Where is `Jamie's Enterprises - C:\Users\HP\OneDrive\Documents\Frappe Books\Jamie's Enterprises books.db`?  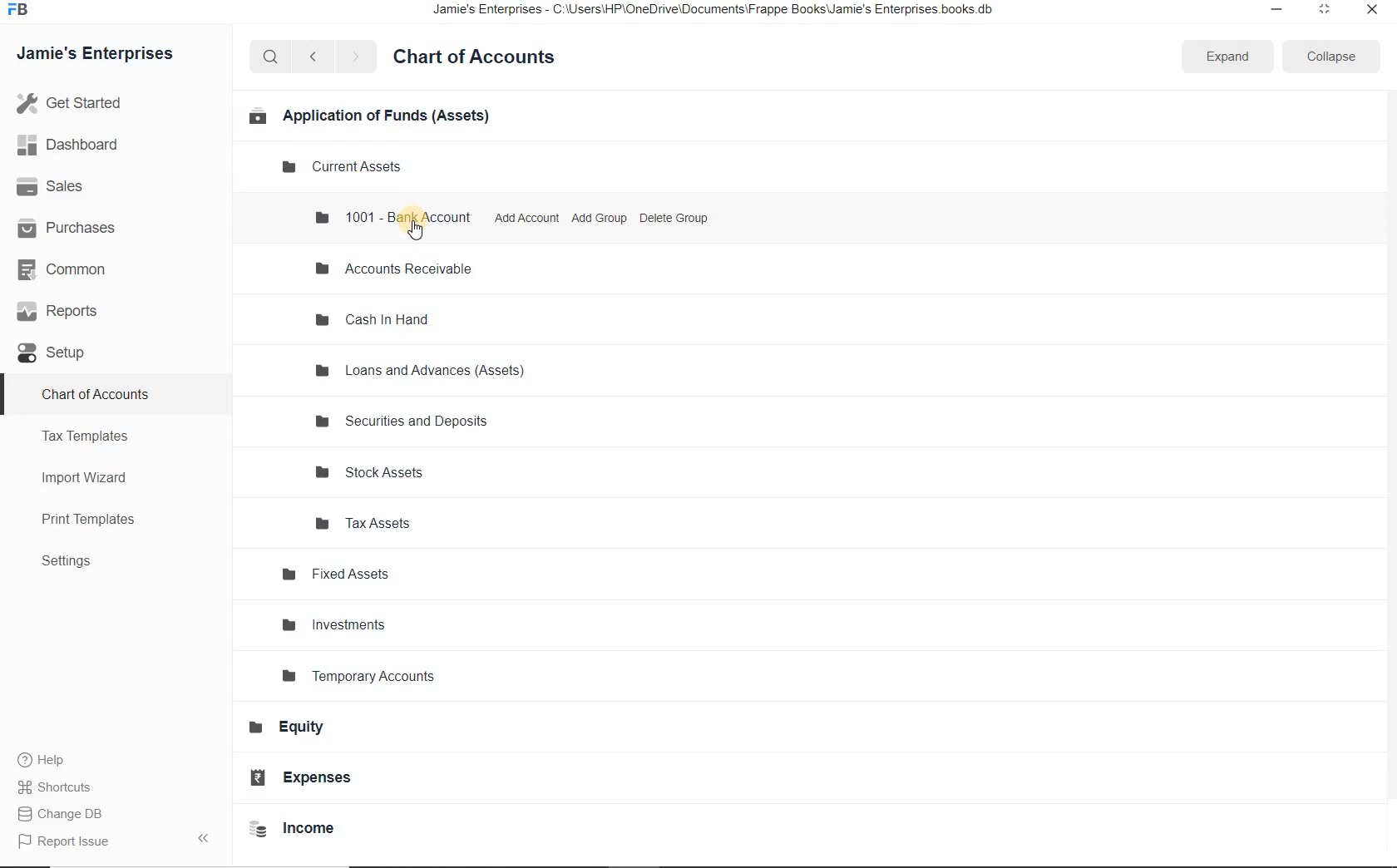 Jamie's Enterprises - C:\Users\HP\OneDrive\Documents\Frappe Books\Jamie's Enterprises books.db is located at coordinates (728, 12).